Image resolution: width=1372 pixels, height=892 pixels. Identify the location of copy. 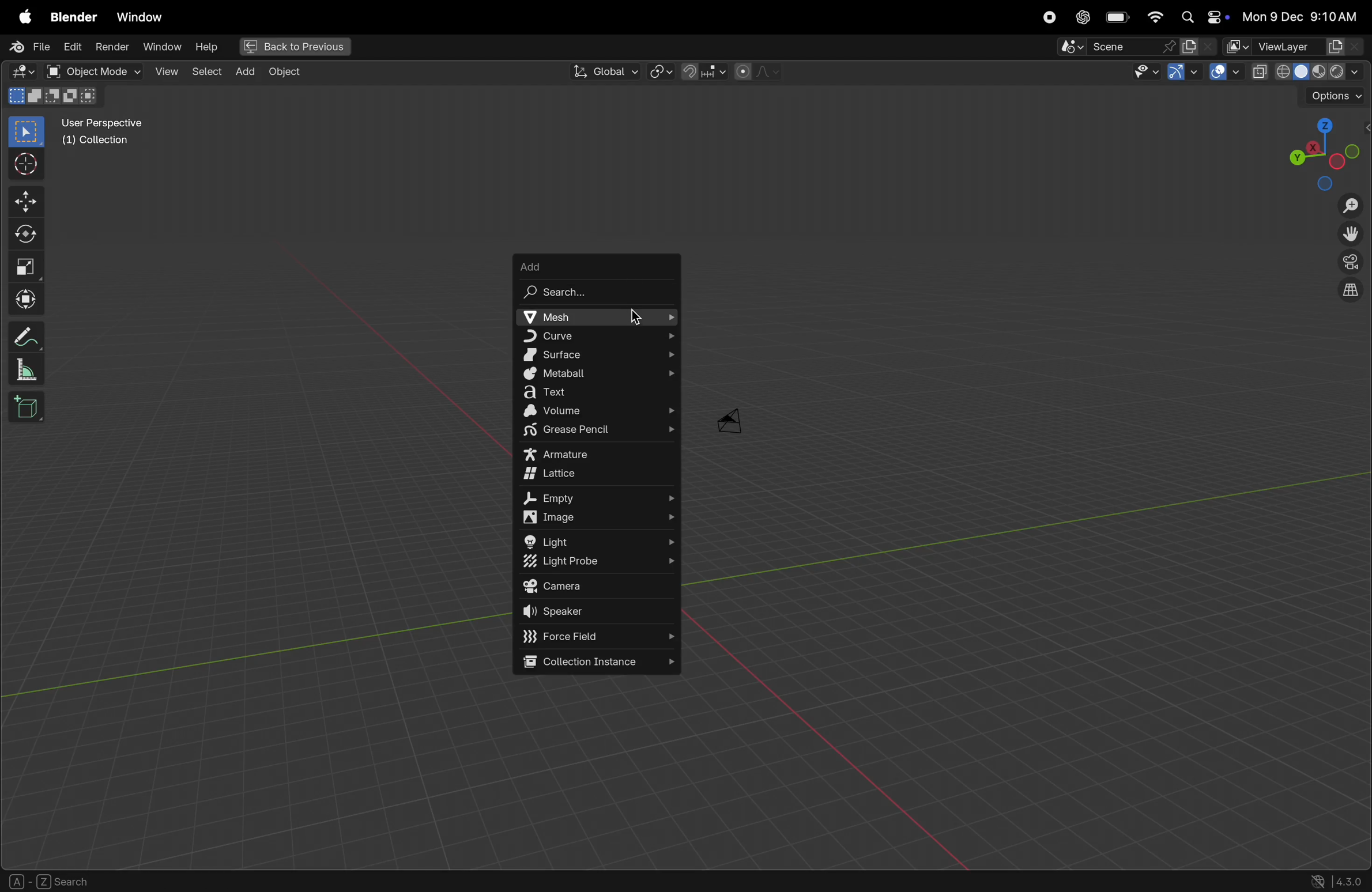
(1260, 72).